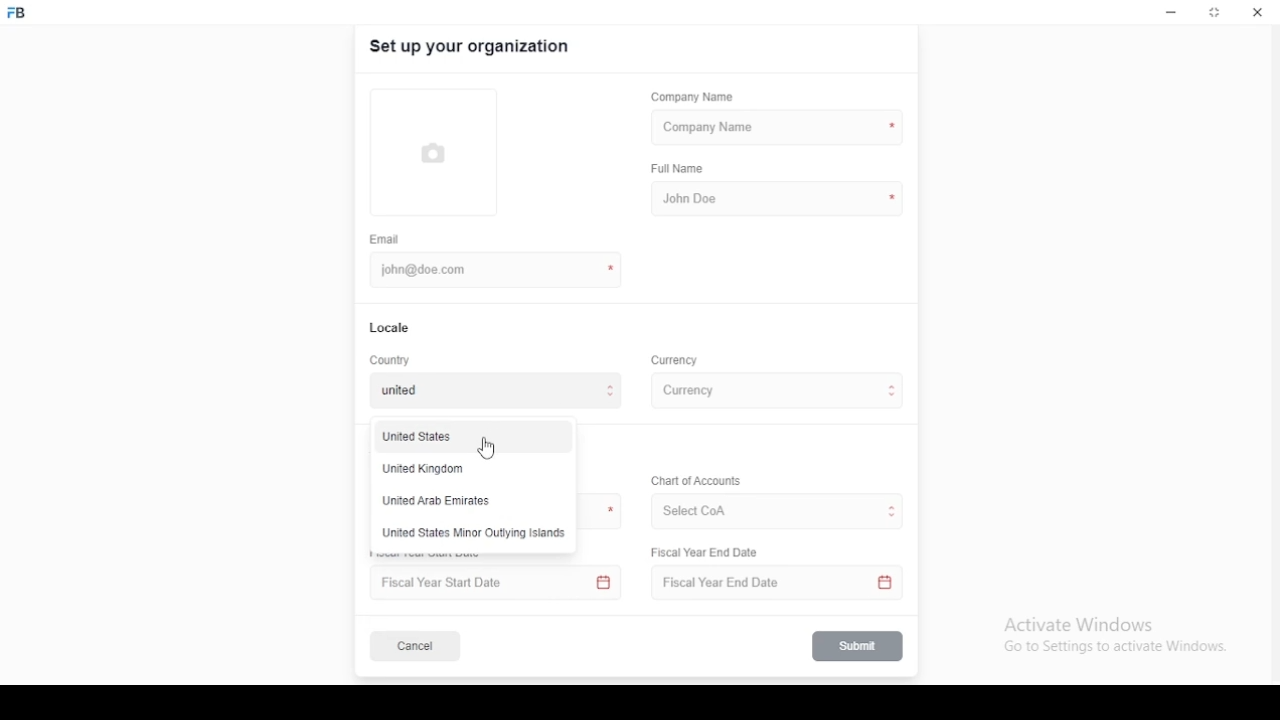 This screenshot has width=1280, height=720. I want to click on united states, so click(419, 436).